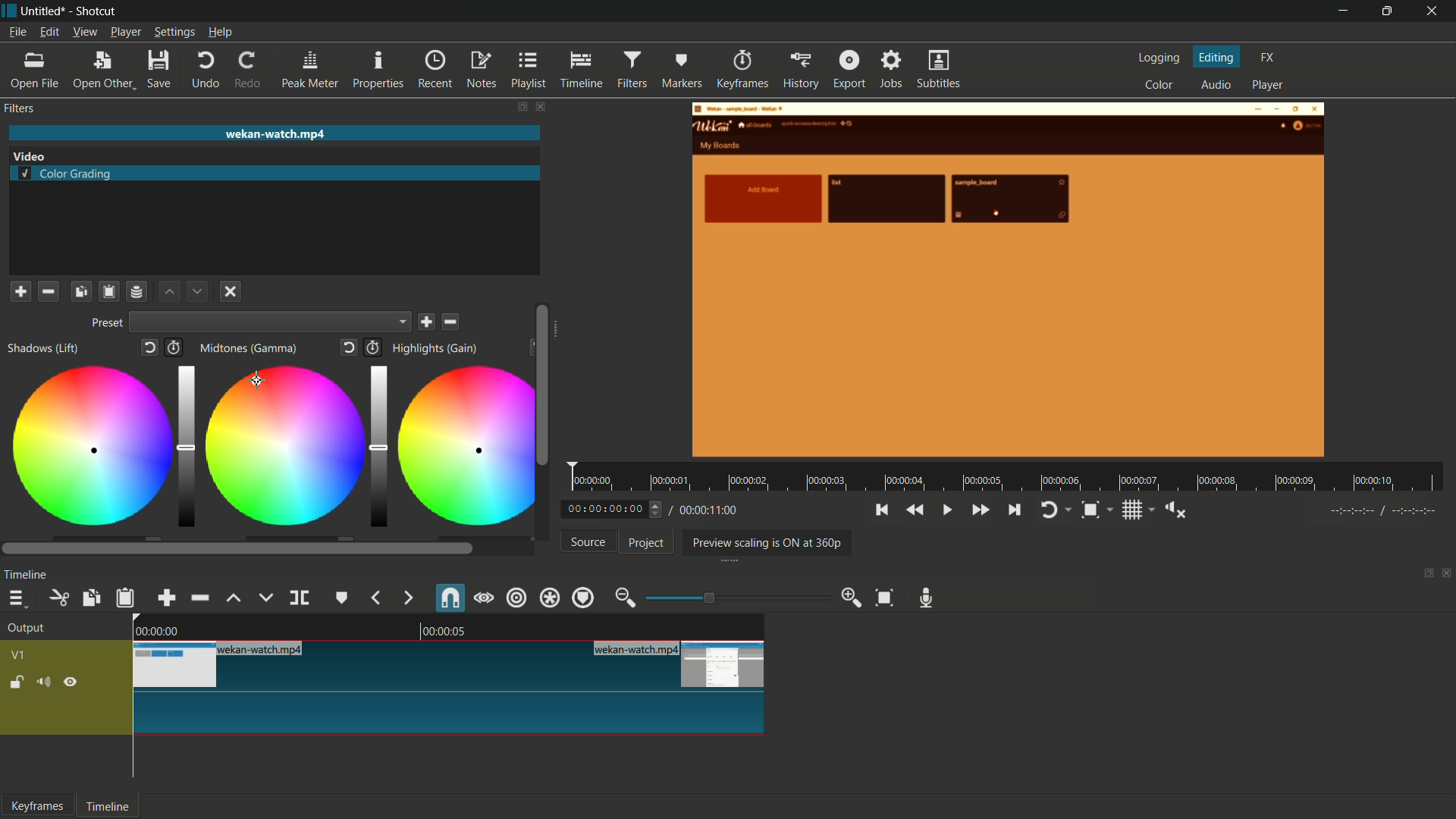 This screenshot has width=1456, height=819. I want to click on snap, so click(449, 598).